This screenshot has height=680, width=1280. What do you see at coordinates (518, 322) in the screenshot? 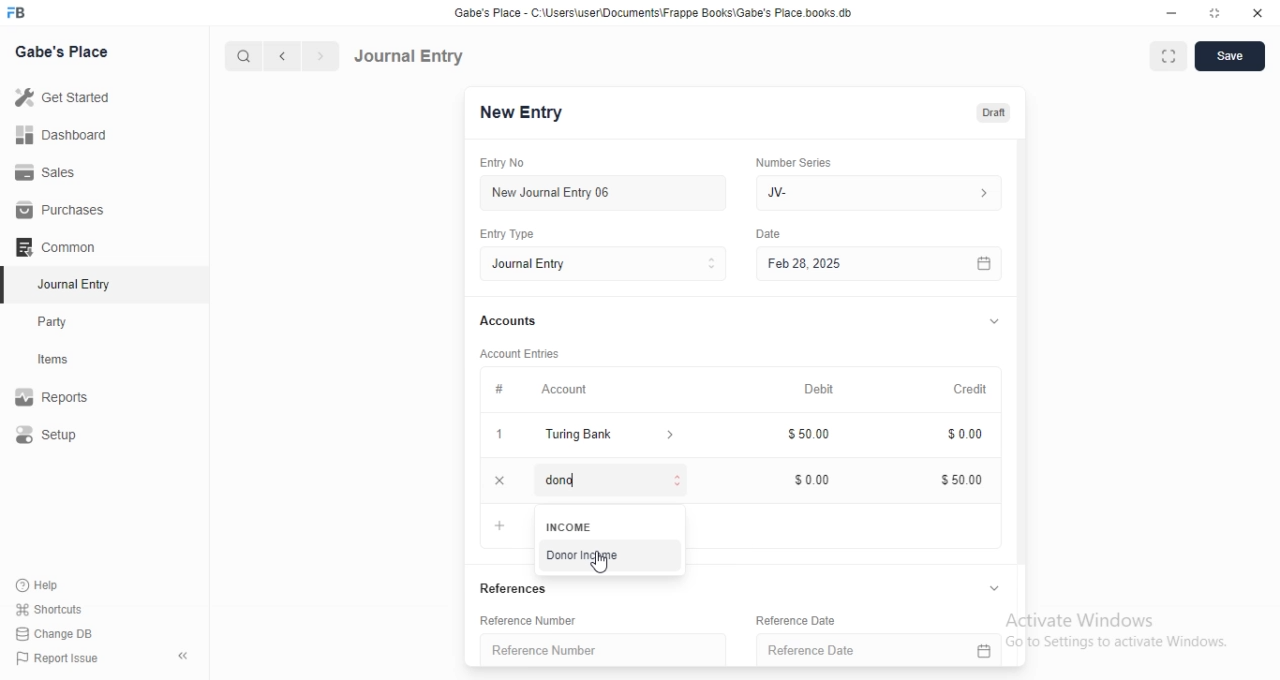
I see `Accounts.` at bounding box center [518, 322].